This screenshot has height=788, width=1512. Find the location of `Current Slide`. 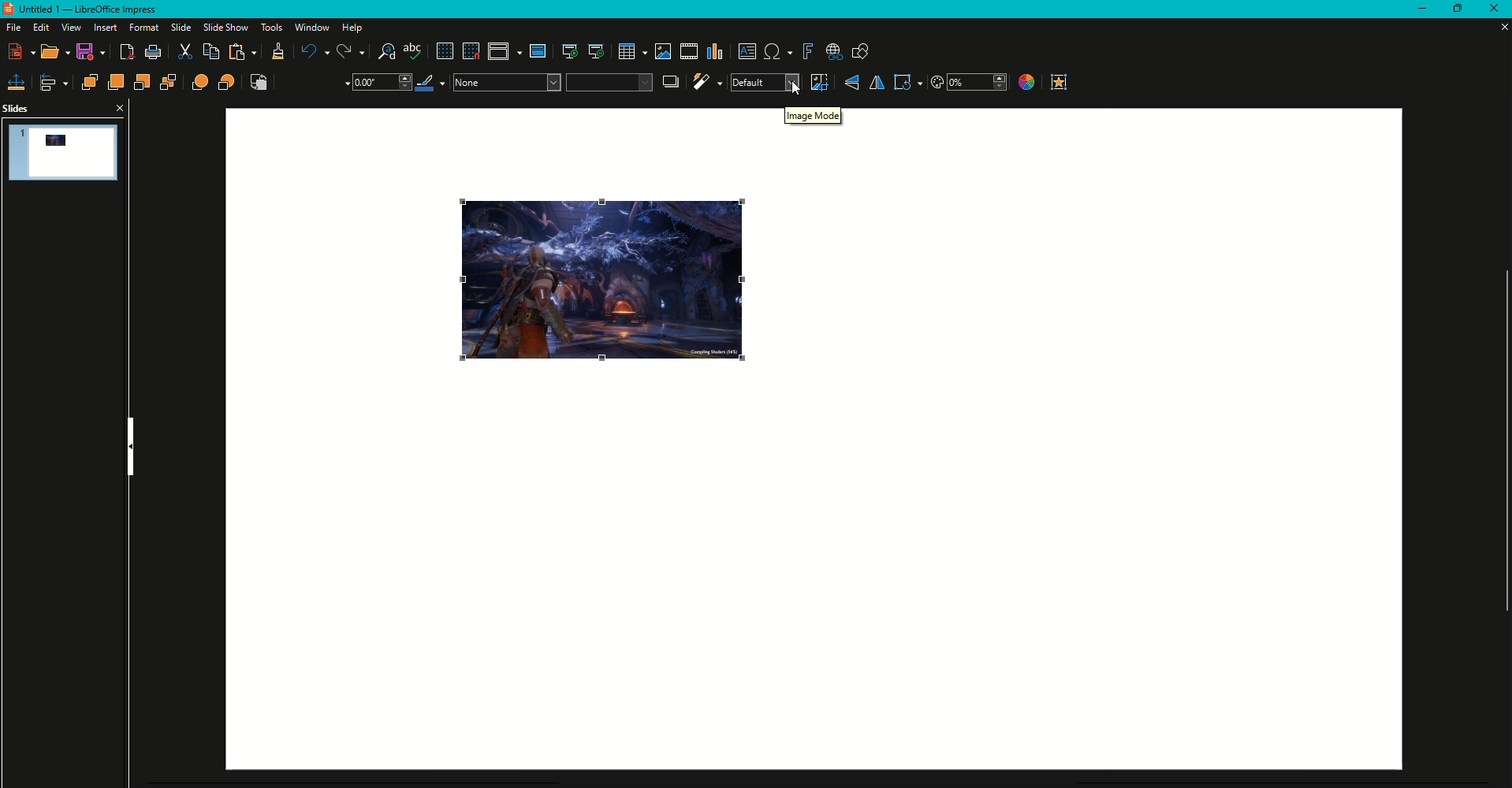

Current Slide is located at coordinates (596, 52).